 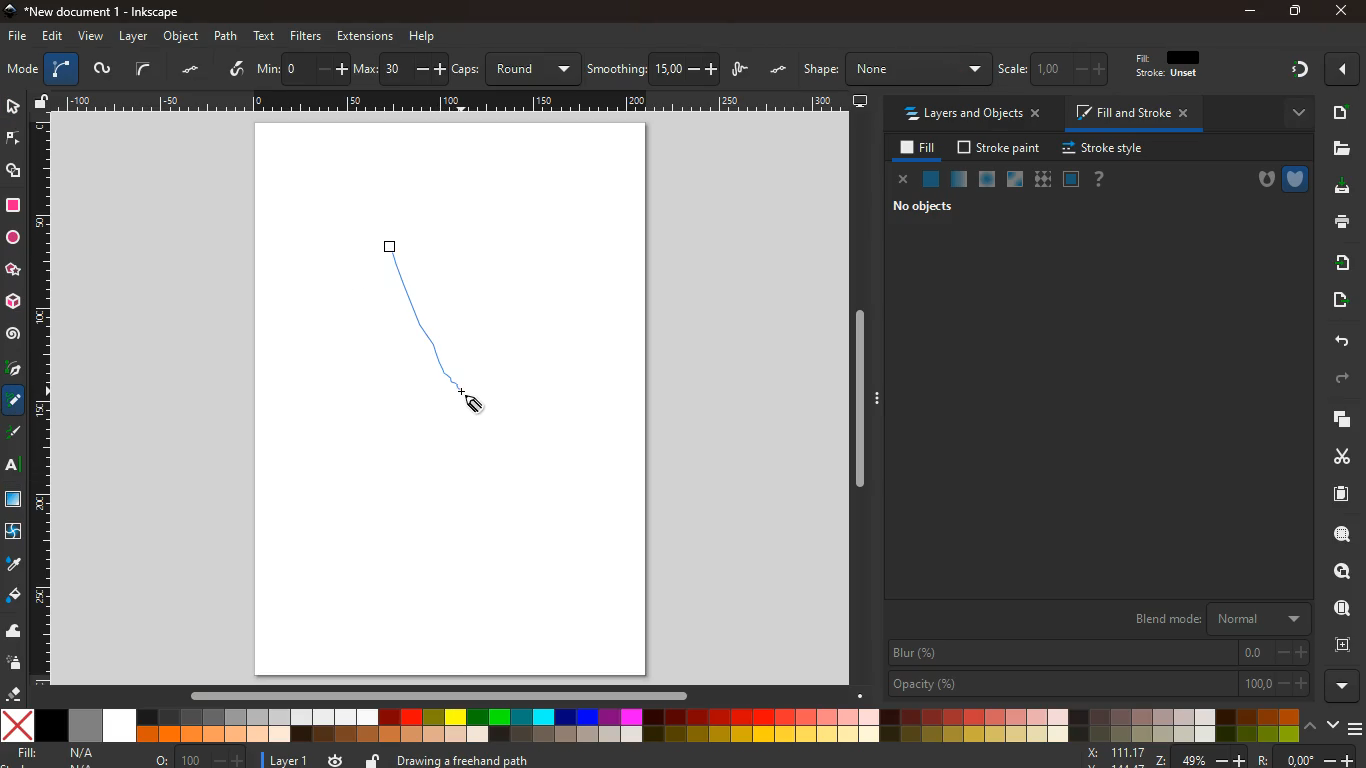 What do you see at coordinates (1218, 616) in the screenshot?
I see `blend mode` at bounding box center [1218, 616].